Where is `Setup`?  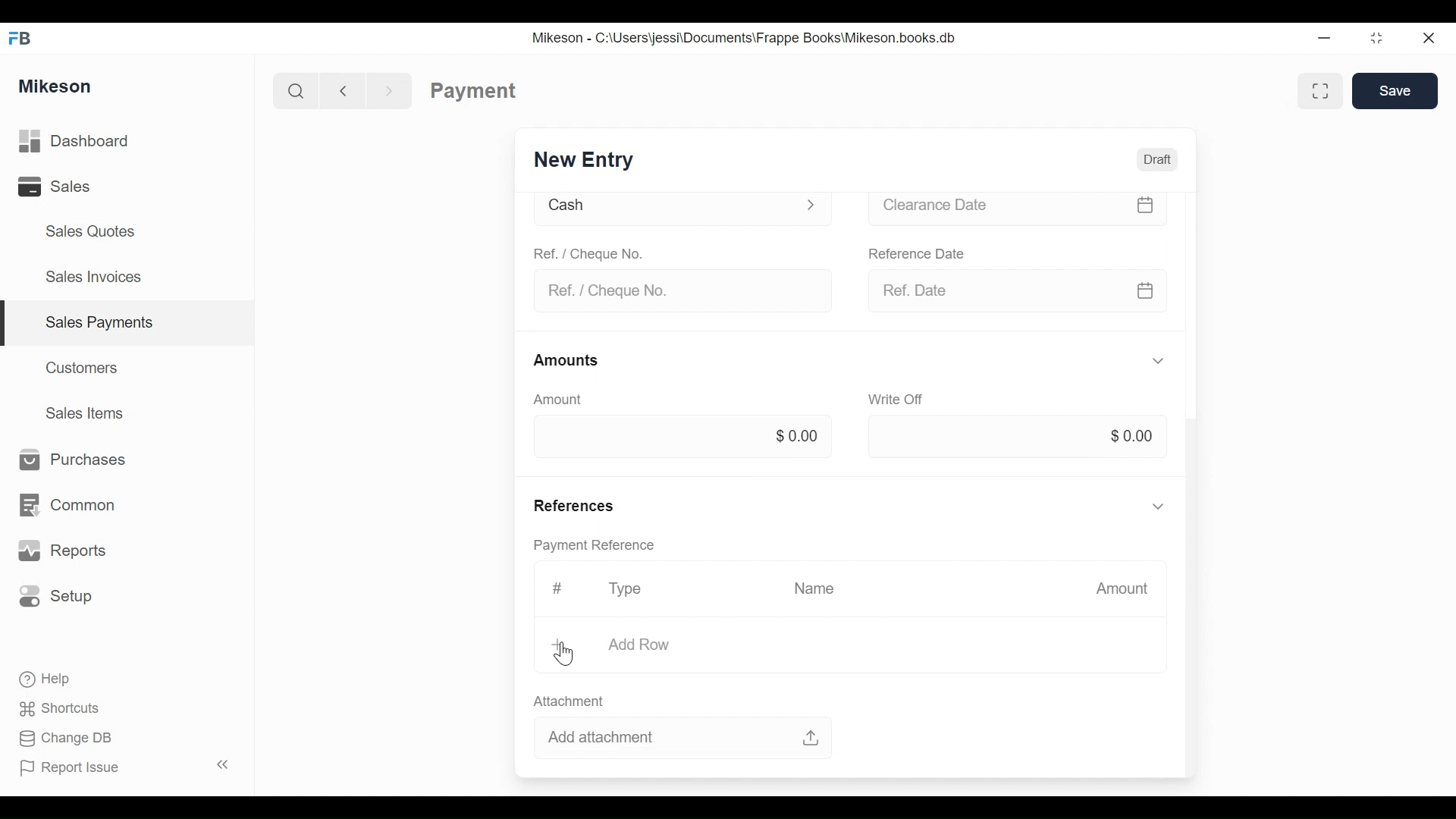
Setup is located at coordinates (61, 597).